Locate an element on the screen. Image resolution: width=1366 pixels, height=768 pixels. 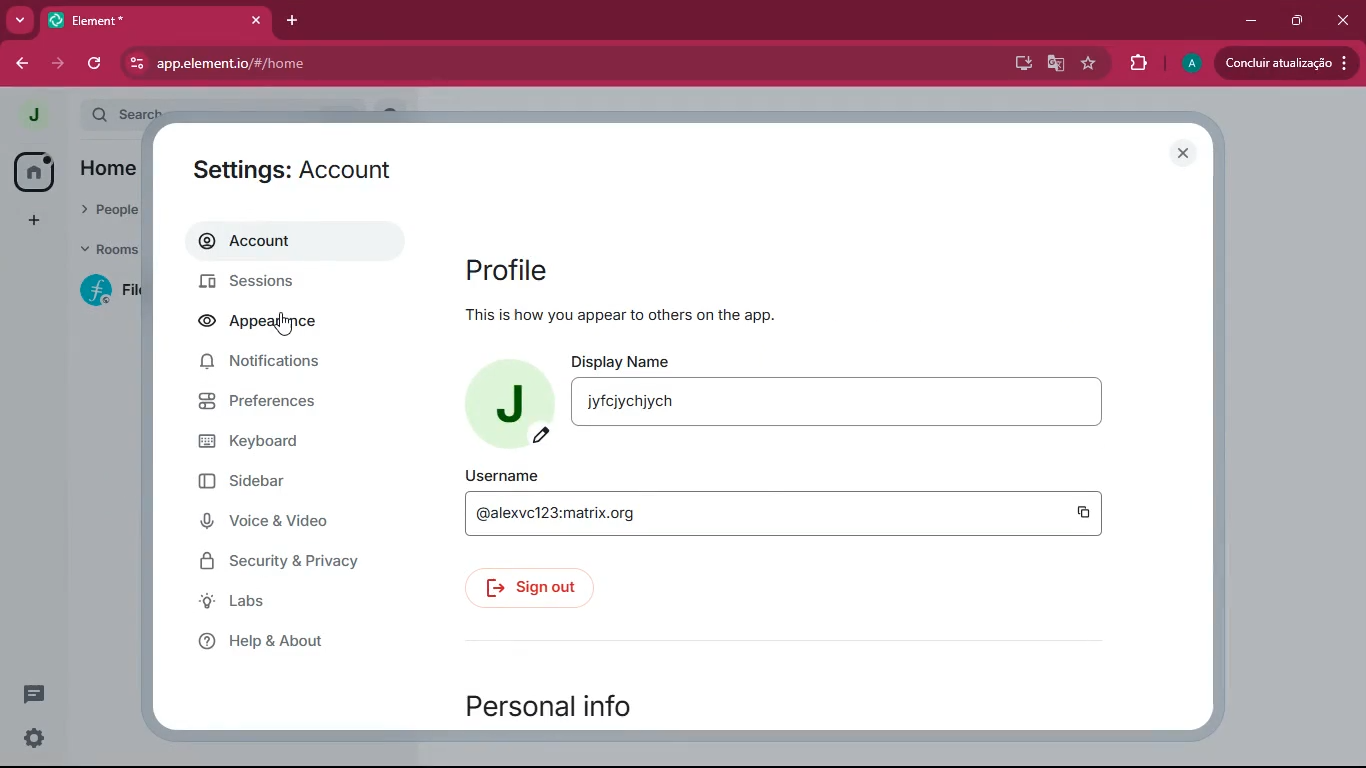
profile is located at coordinates (1188, 65).